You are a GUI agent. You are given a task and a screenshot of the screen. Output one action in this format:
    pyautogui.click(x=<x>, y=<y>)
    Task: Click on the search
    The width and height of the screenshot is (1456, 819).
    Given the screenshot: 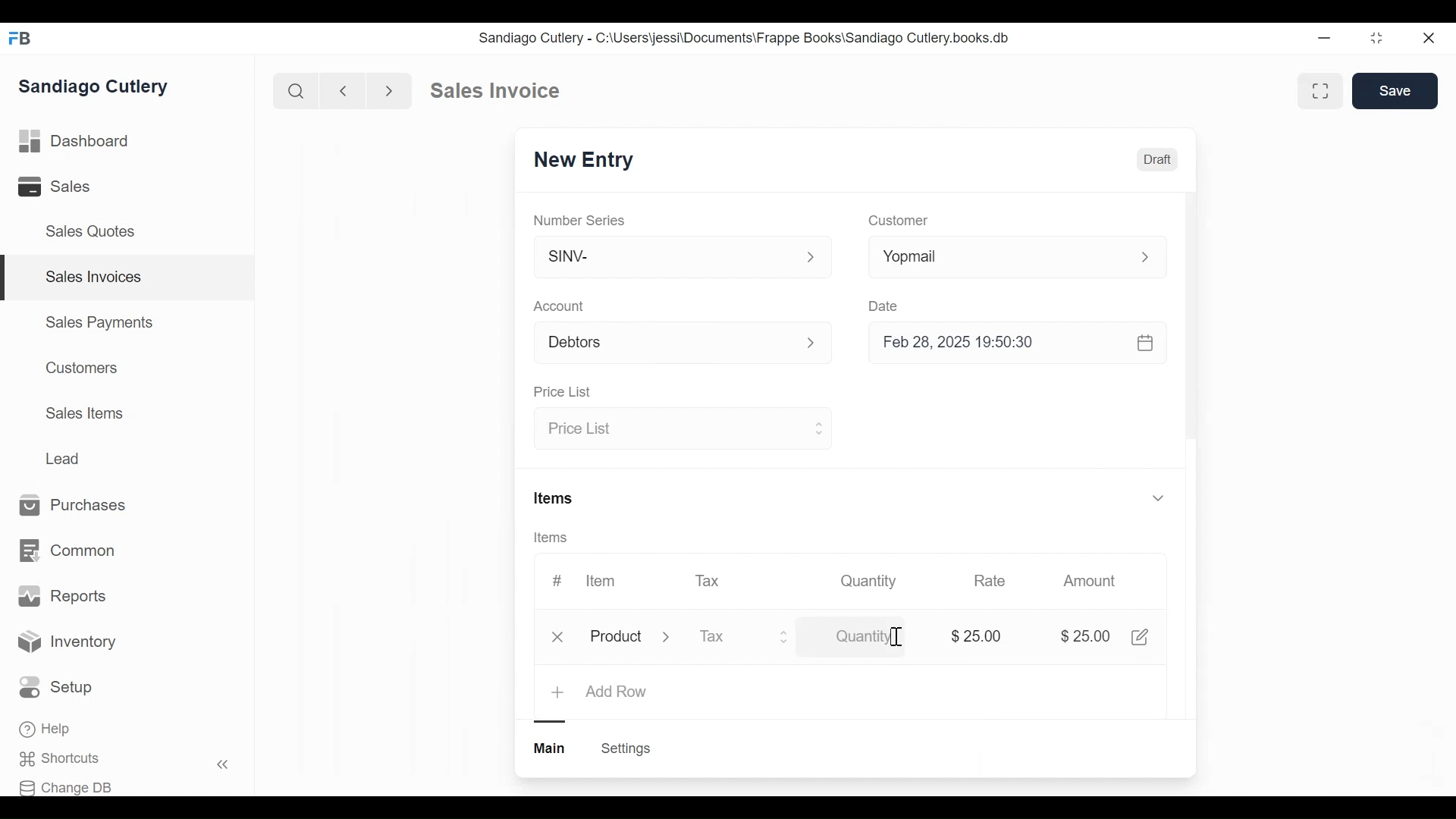 What is the action you would take?
    pyautogui.click(x=297, y=92)
    